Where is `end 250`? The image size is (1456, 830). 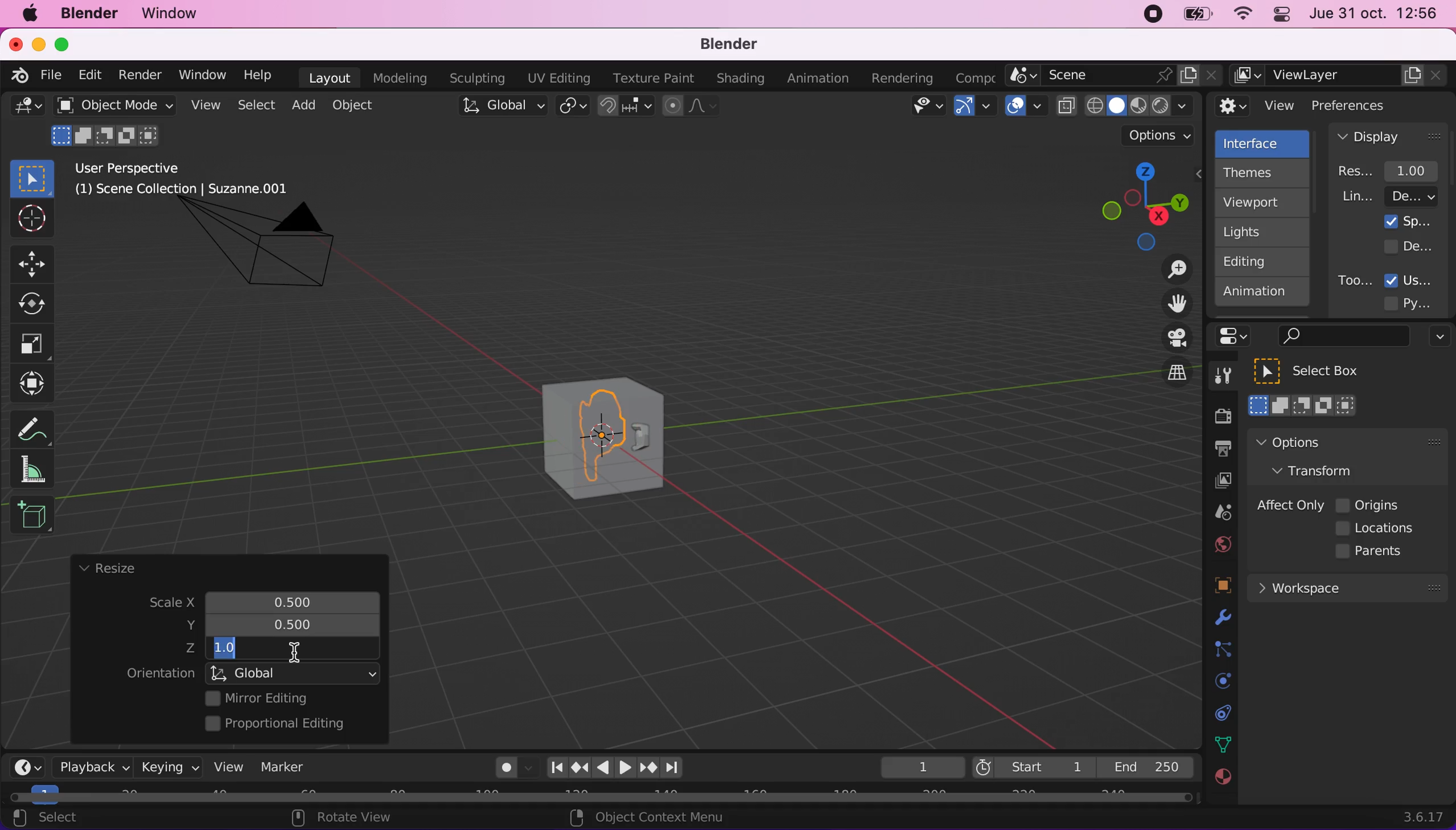 end 250 is located at coordinates (1145, 766).